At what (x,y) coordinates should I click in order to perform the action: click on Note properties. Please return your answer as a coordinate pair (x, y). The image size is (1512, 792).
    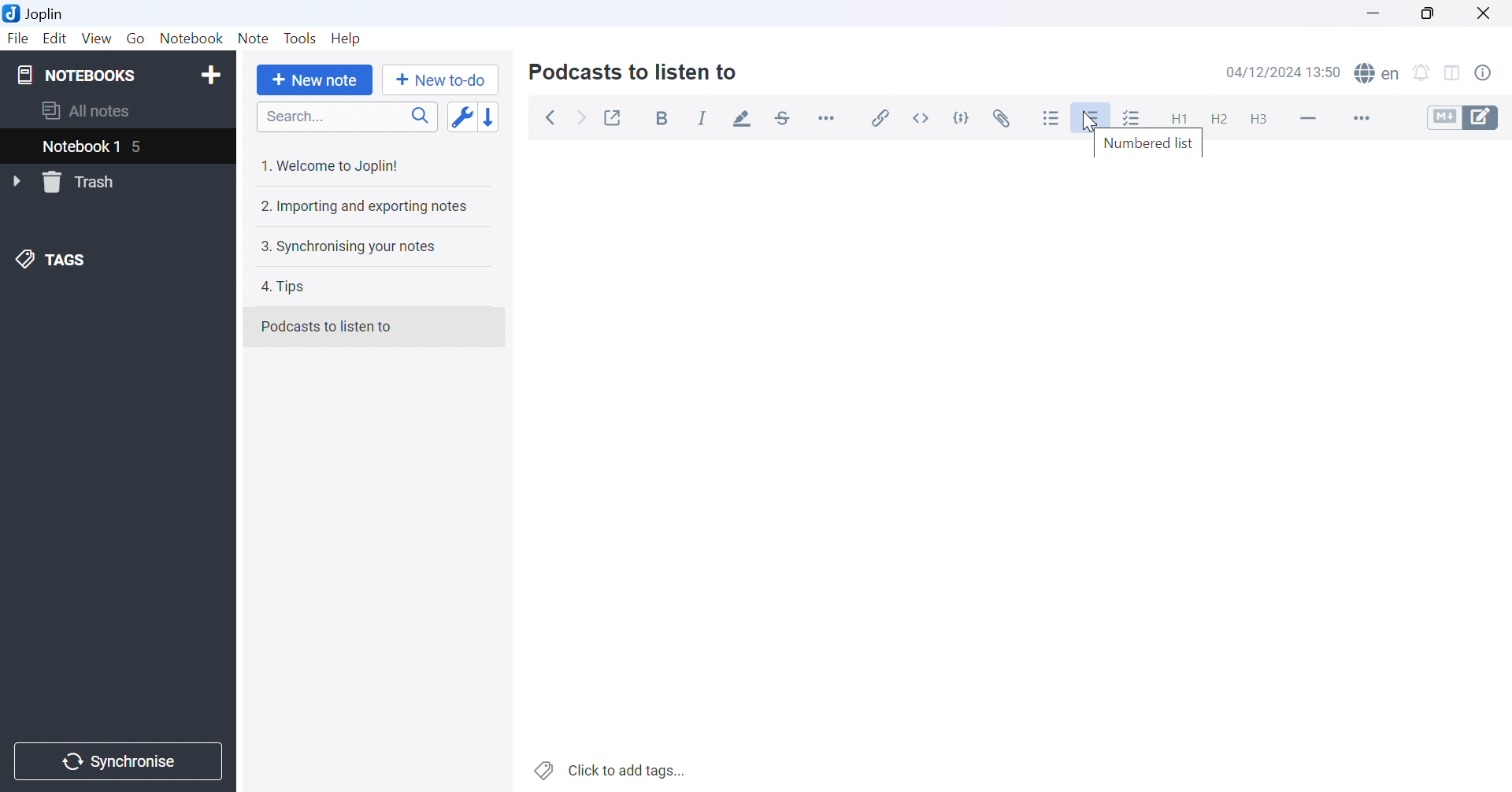
    Looking at the image, I should click on (1492, 76).